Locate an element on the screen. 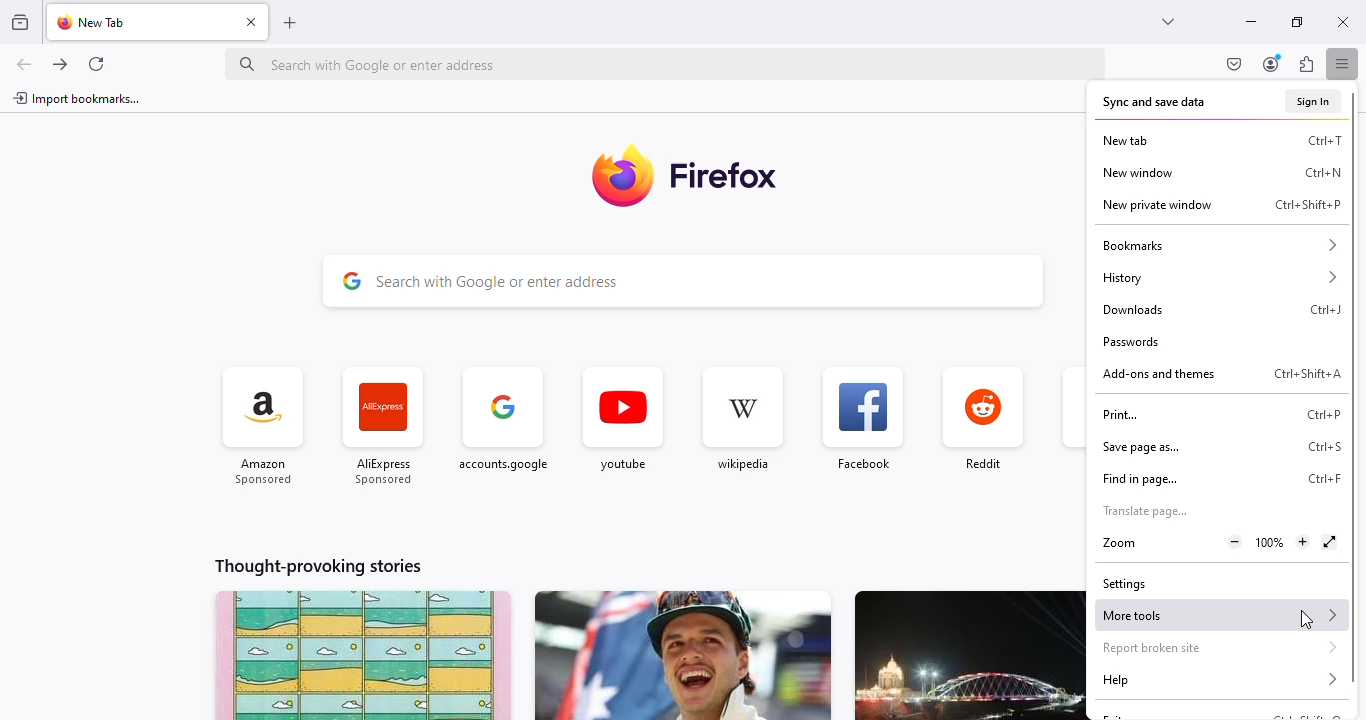 The width and height of the screenshot is (1366, 720). shortcut for add-ons and themes is located at coordinates (1306, 373).